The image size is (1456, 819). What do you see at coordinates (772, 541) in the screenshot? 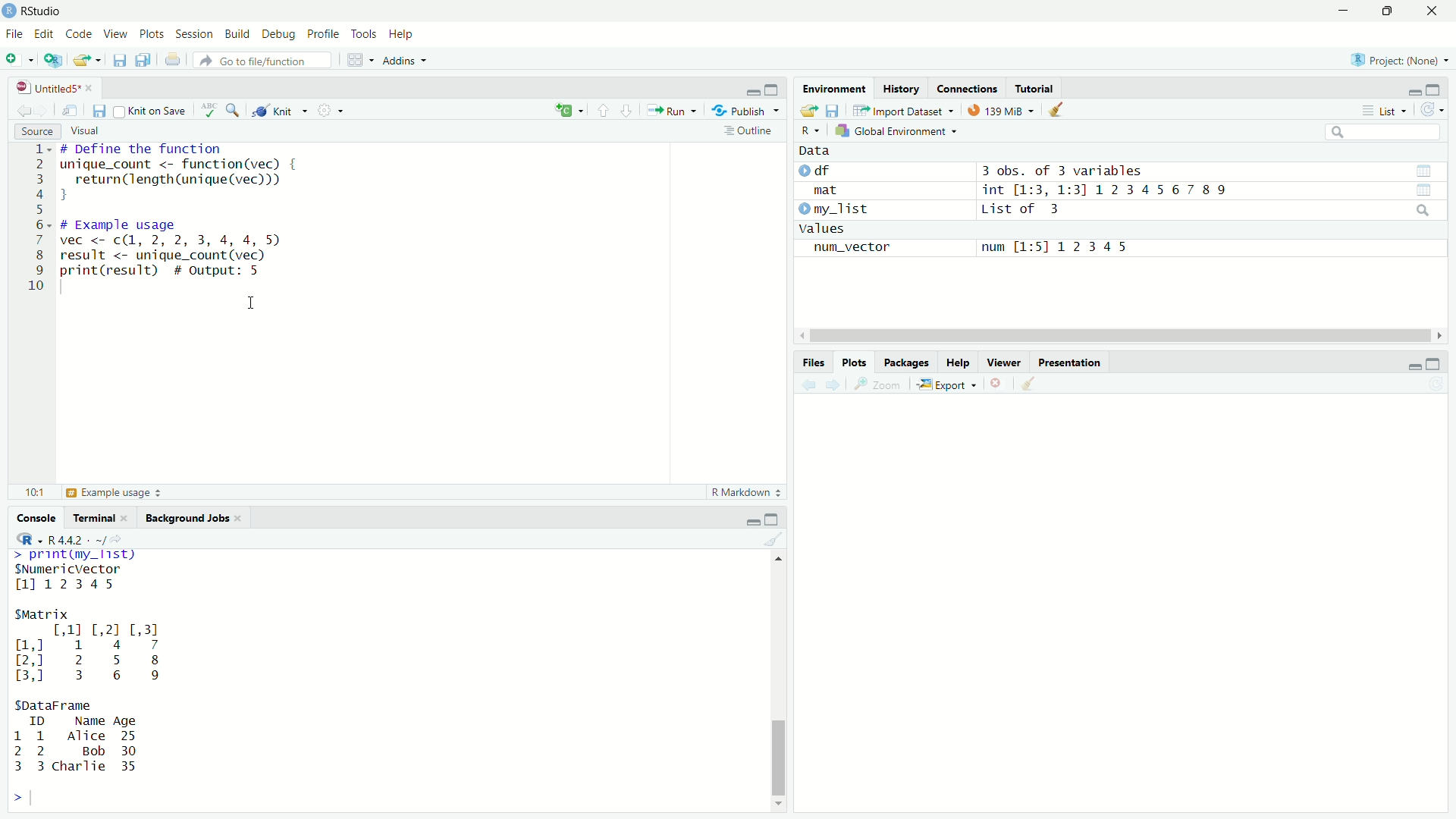
I see `clear console` at bounding box center [772, 541].